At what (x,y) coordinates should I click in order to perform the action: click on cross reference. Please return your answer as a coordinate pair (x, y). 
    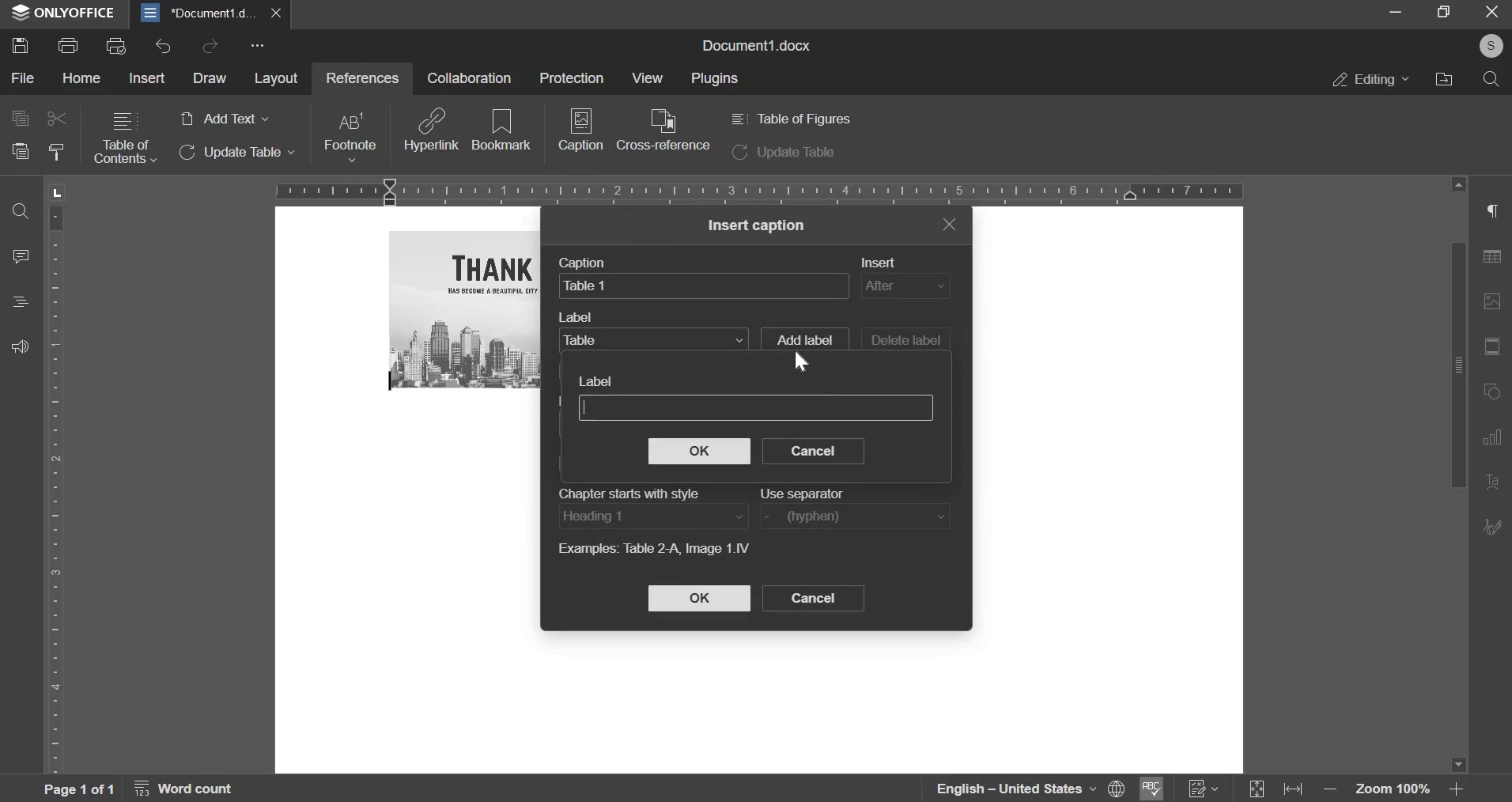
    Looking at the image, I should click on (663, 130).